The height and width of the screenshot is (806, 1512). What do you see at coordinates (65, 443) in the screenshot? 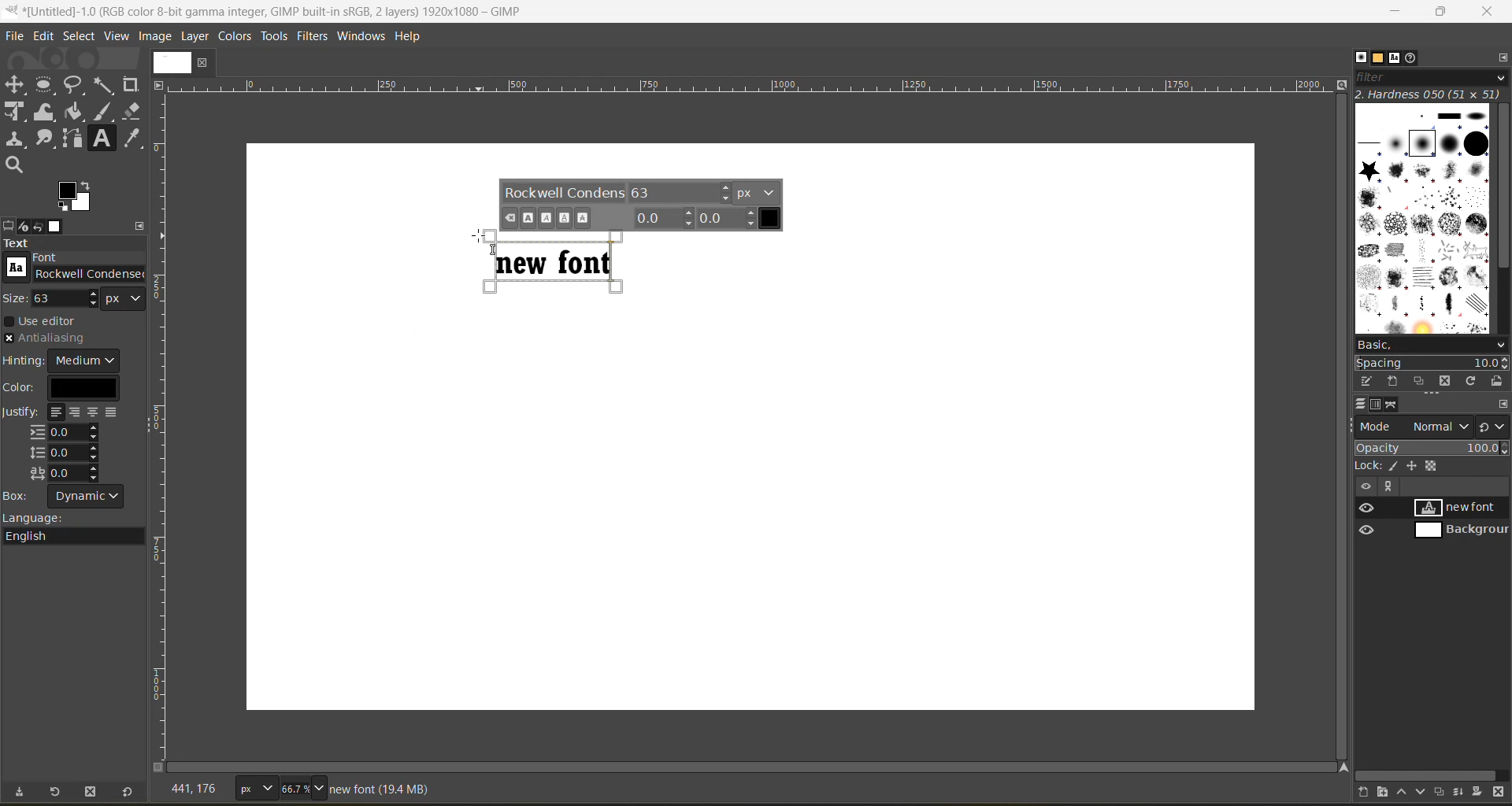
I see `justify` at bounding box center [65, 443].